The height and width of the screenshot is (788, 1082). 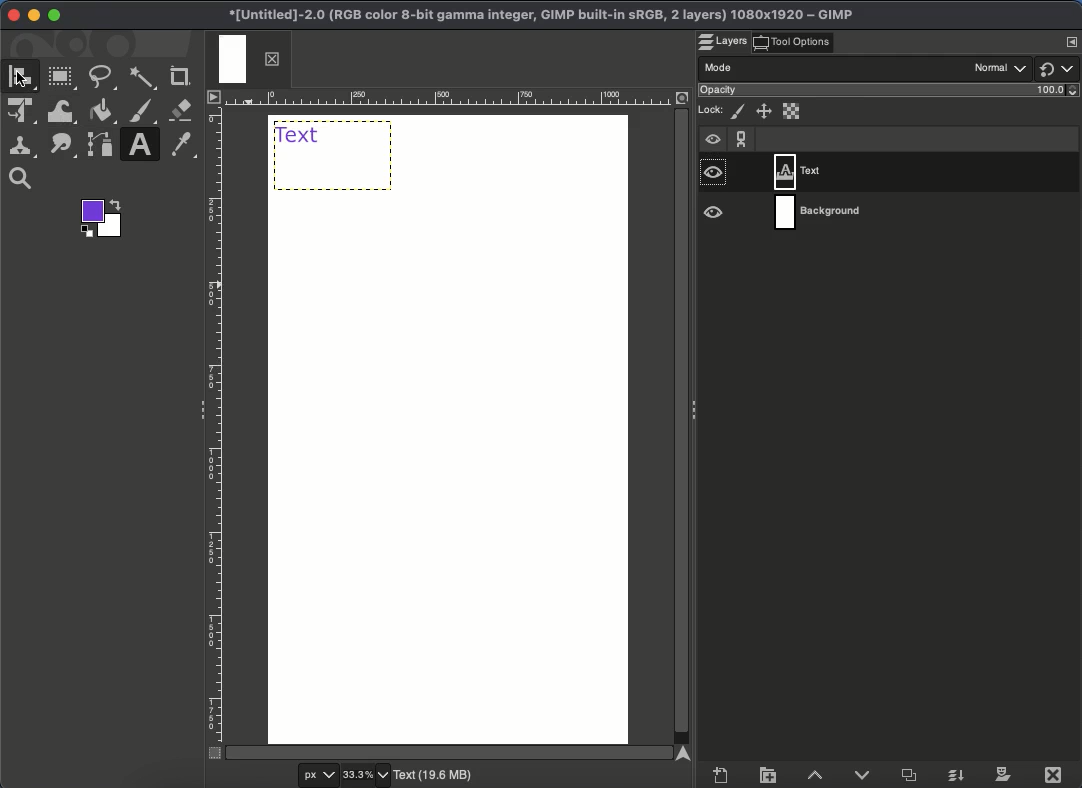 I want to click on Foreground color, so click(x=103, y=218).